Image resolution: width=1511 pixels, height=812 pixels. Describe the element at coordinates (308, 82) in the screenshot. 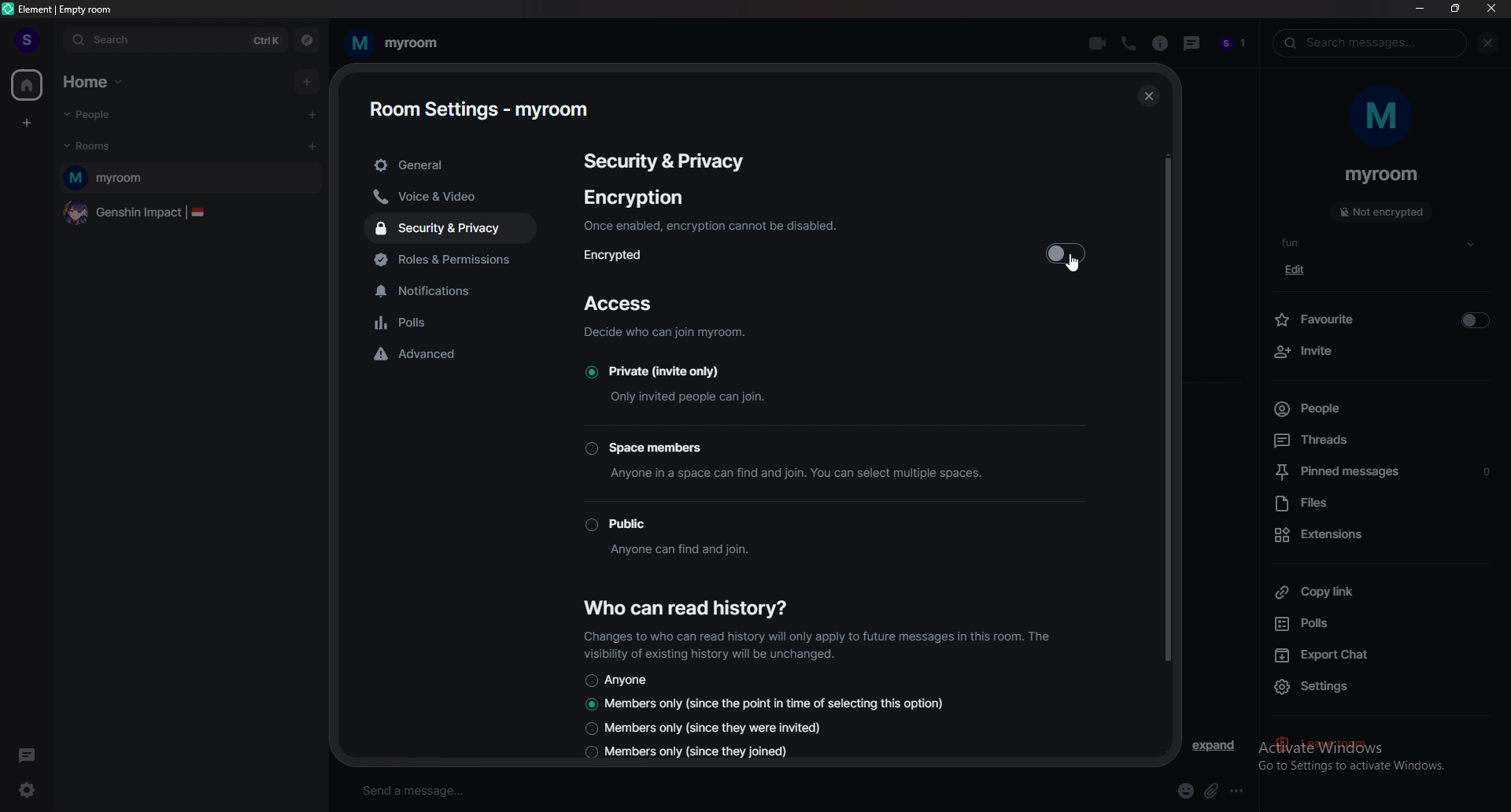

I see `add` at that location.